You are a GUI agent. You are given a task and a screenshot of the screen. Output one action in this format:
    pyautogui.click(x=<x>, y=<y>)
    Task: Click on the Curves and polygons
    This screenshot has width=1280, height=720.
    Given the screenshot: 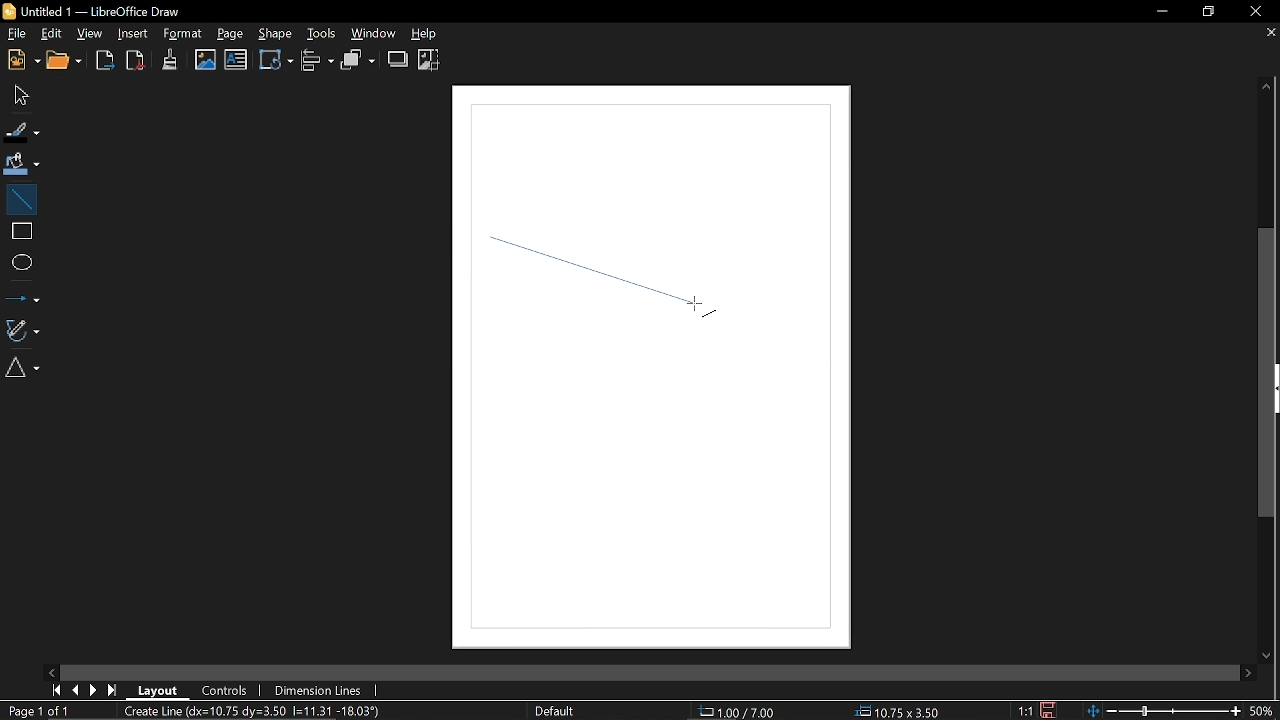 What is the action you would take?
    pyautogui.click(x=23, y=330)
    